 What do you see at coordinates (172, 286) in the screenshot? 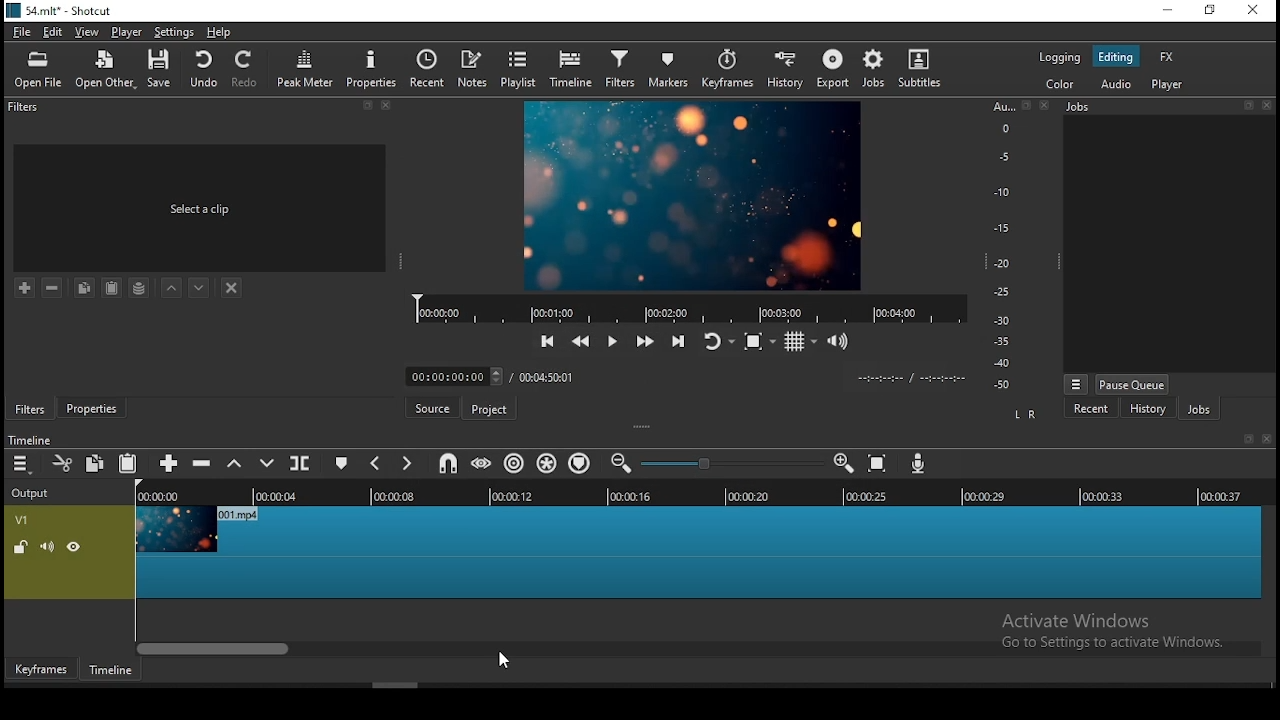
I see `move filter up` at bounding box center [172, 286].